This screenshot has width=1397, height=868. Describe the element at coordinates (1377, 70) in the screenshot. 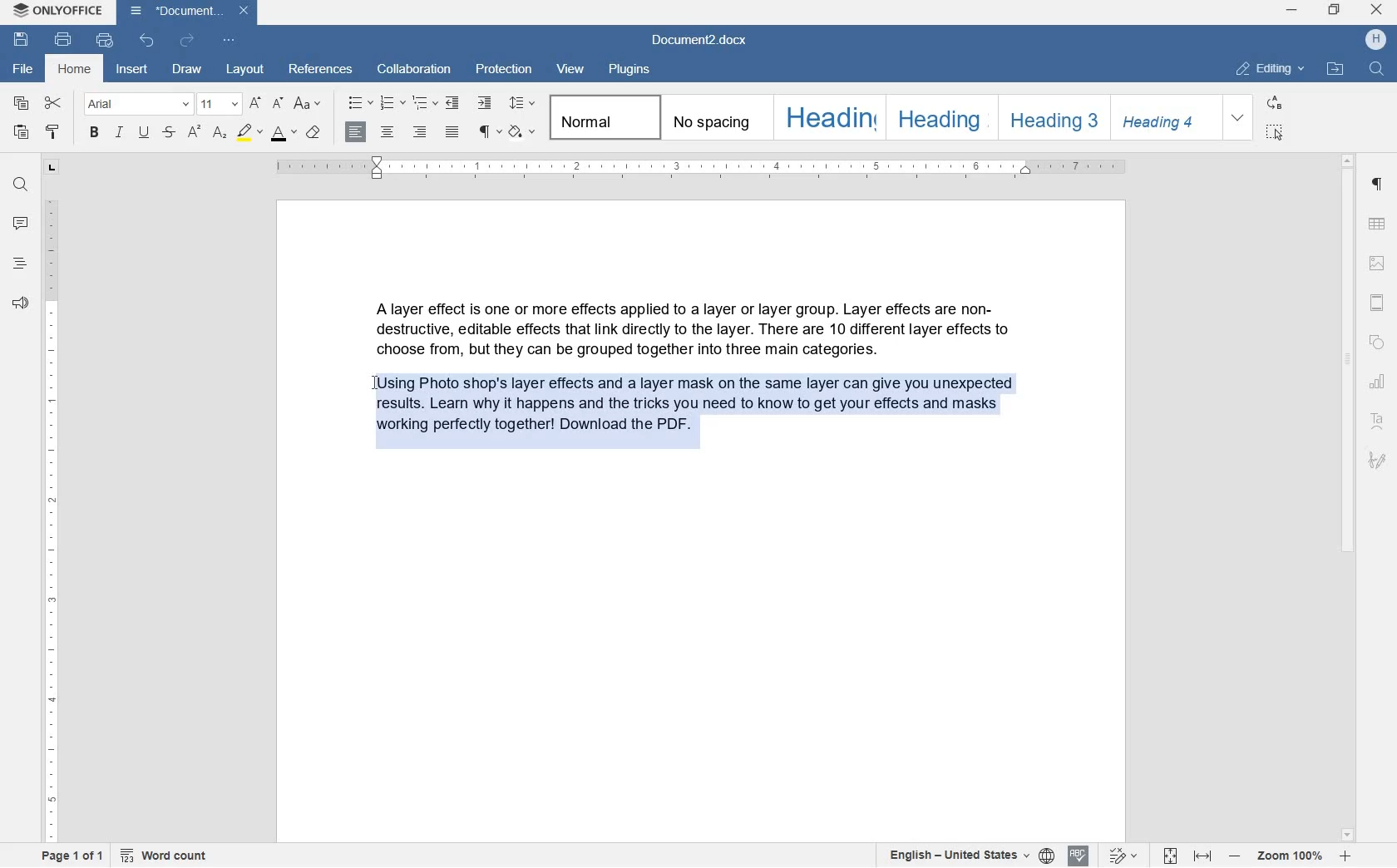

I see `FIND` at that location.